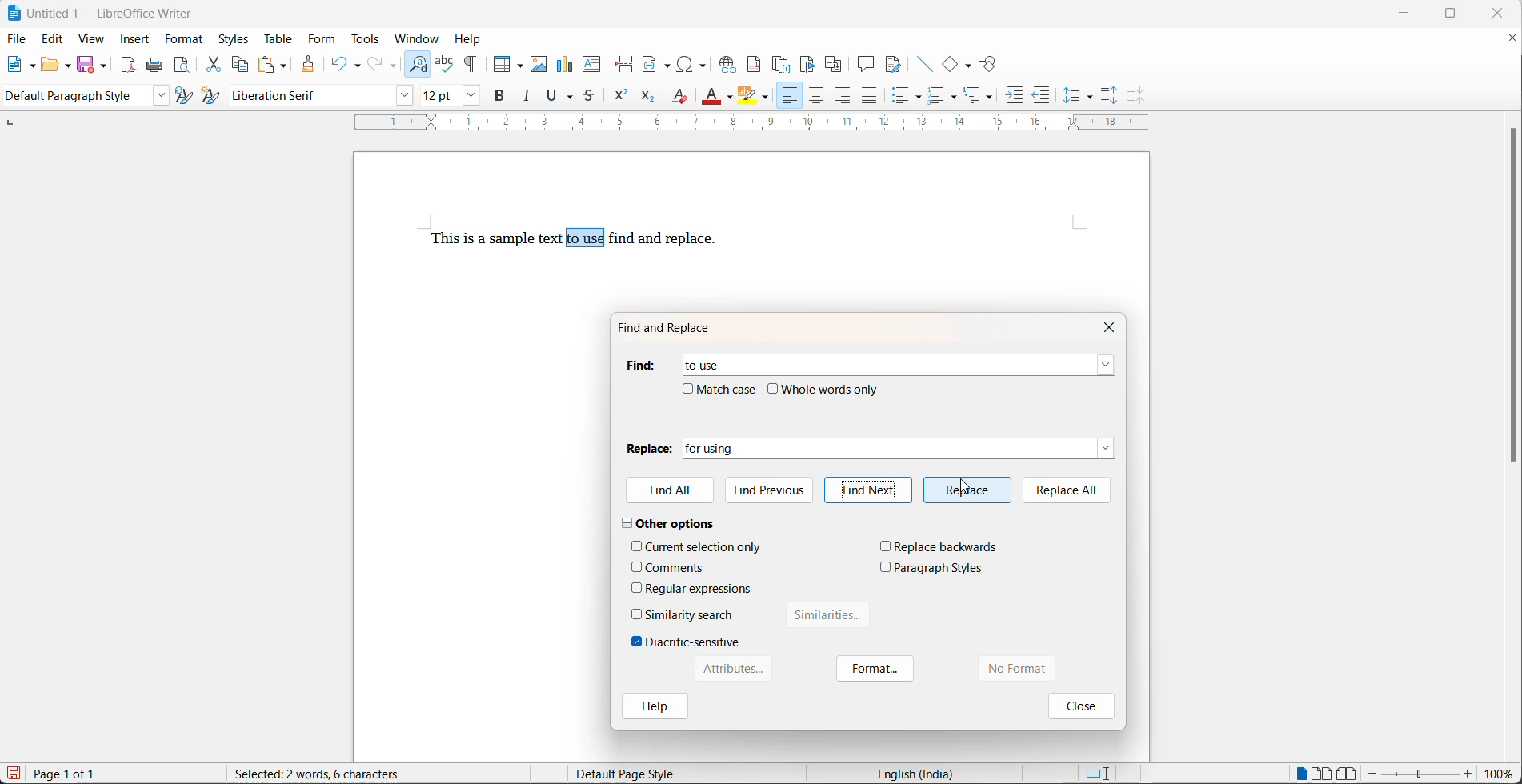 The width and height of the screenshot is (1522, 784). I want to click on tools, so click(368, 39).